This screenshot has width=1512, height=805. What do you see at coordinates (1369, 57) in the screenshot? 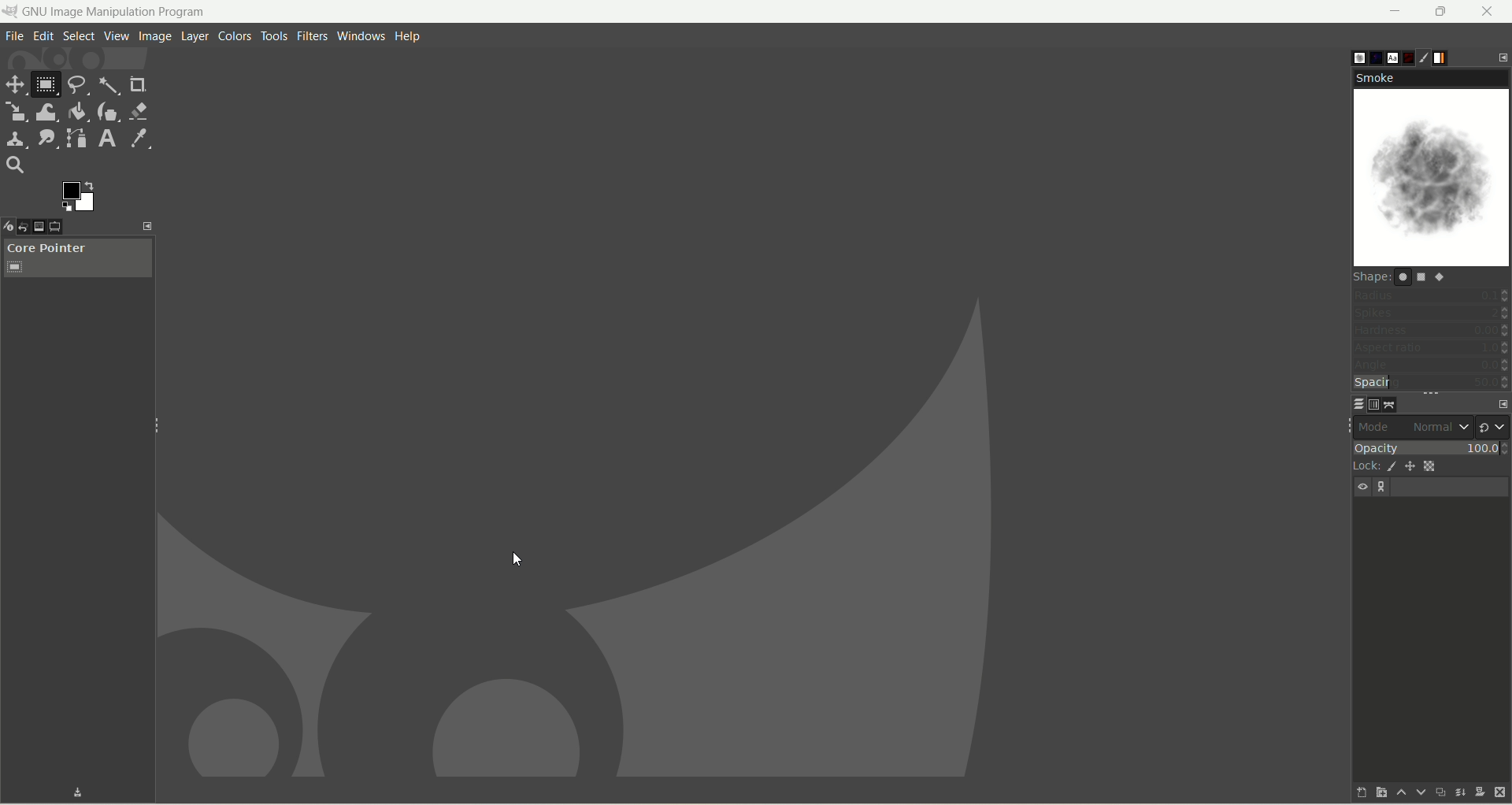
I see `pattern` at bounding box center [1369, 57].